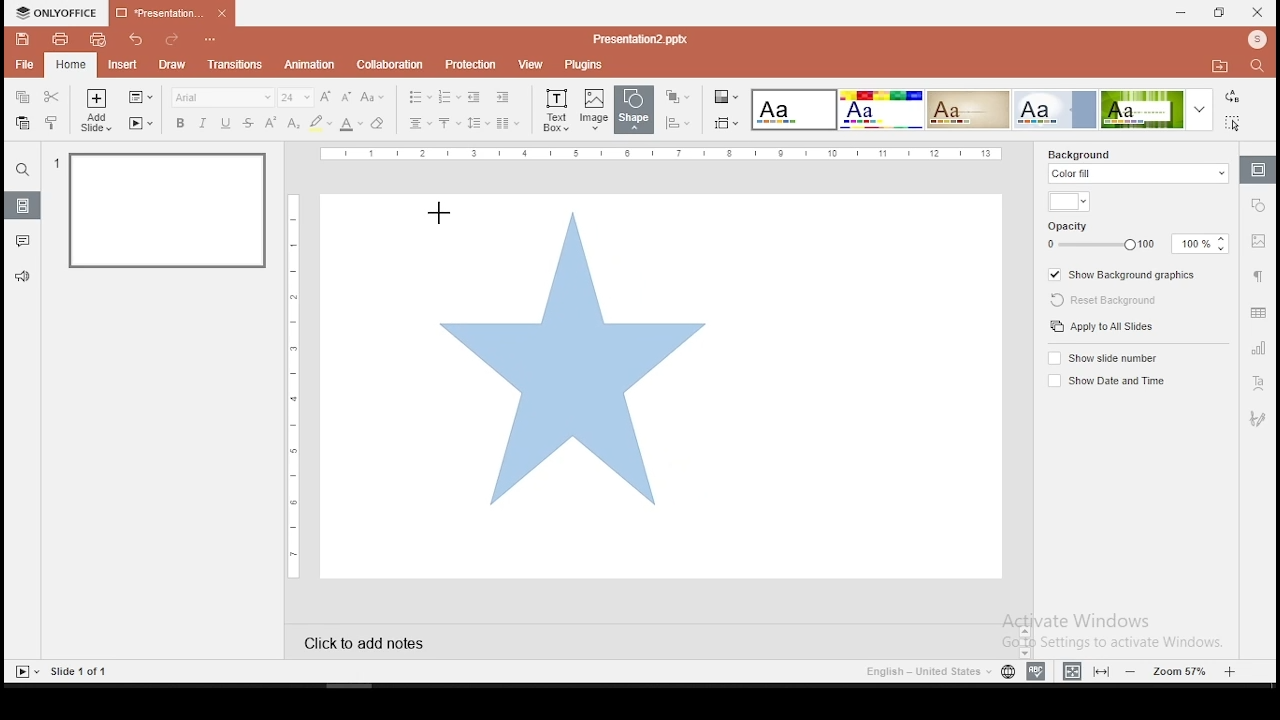  I want to click on change slide layout, so click(139, 98).